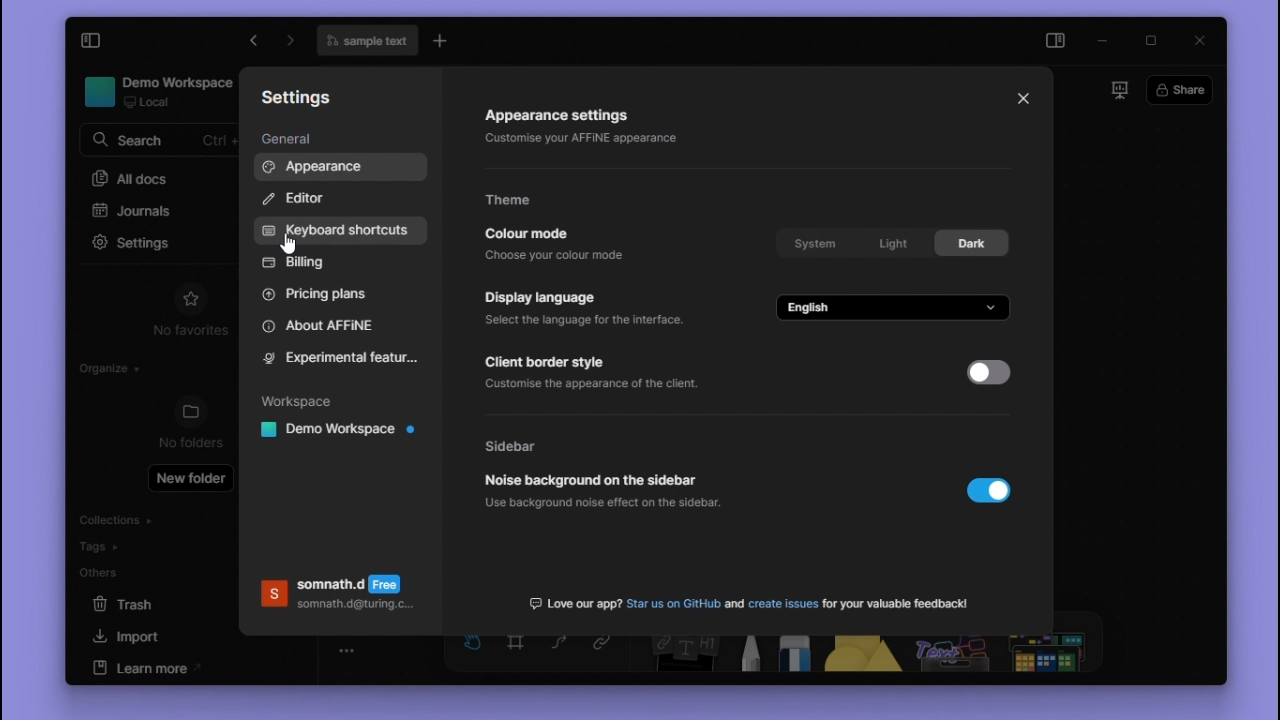 This screenshot has width=1280, height=720. What do you see at coordinates (328, 295) in the screenshot?
I see `Pricing plans` at bounding box center [328, 295].